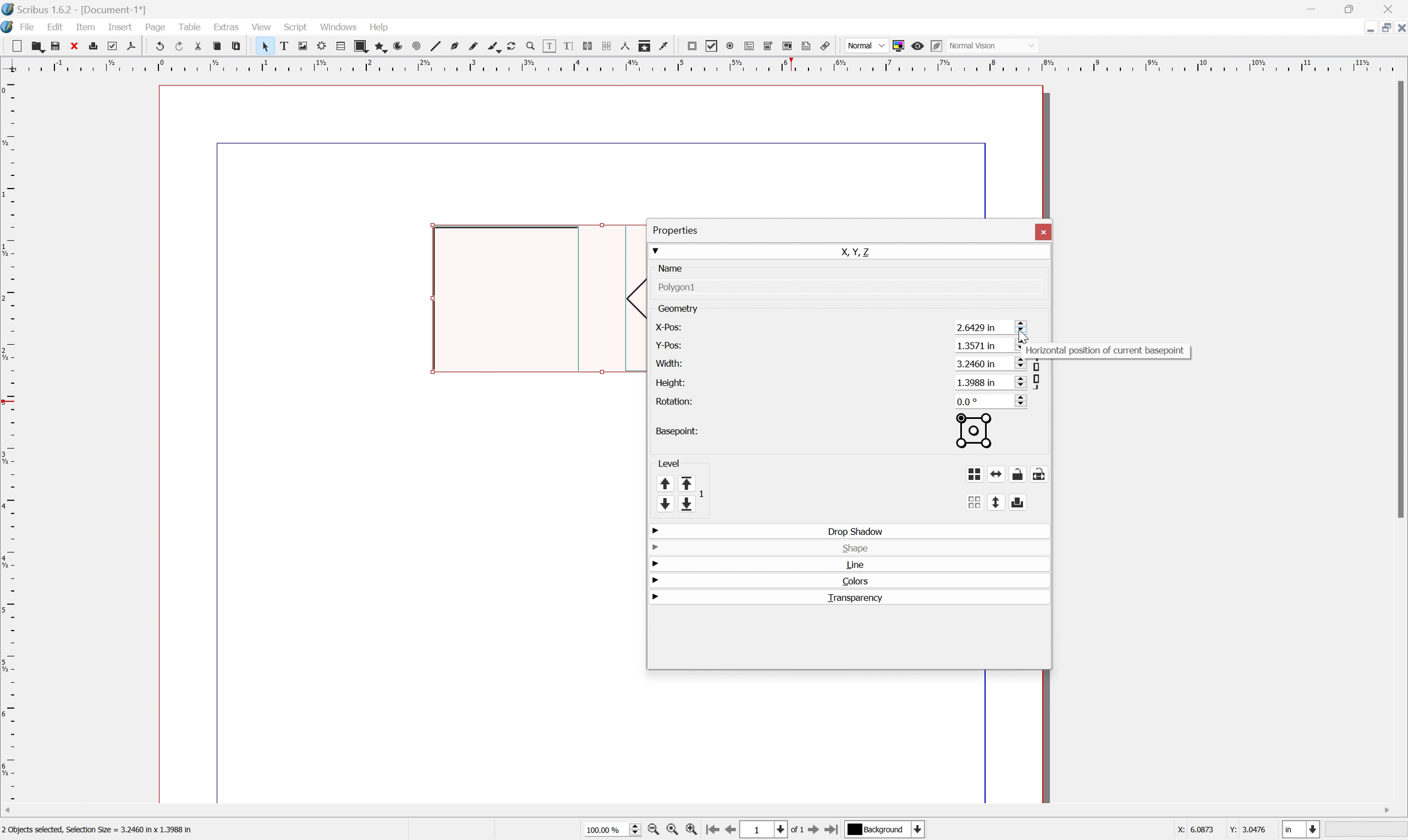 Image resolution: width=1408 pixels, height=840 pixels. Describe the element at coordinates (381, 28) in the screenshot. I see `help` at that location.